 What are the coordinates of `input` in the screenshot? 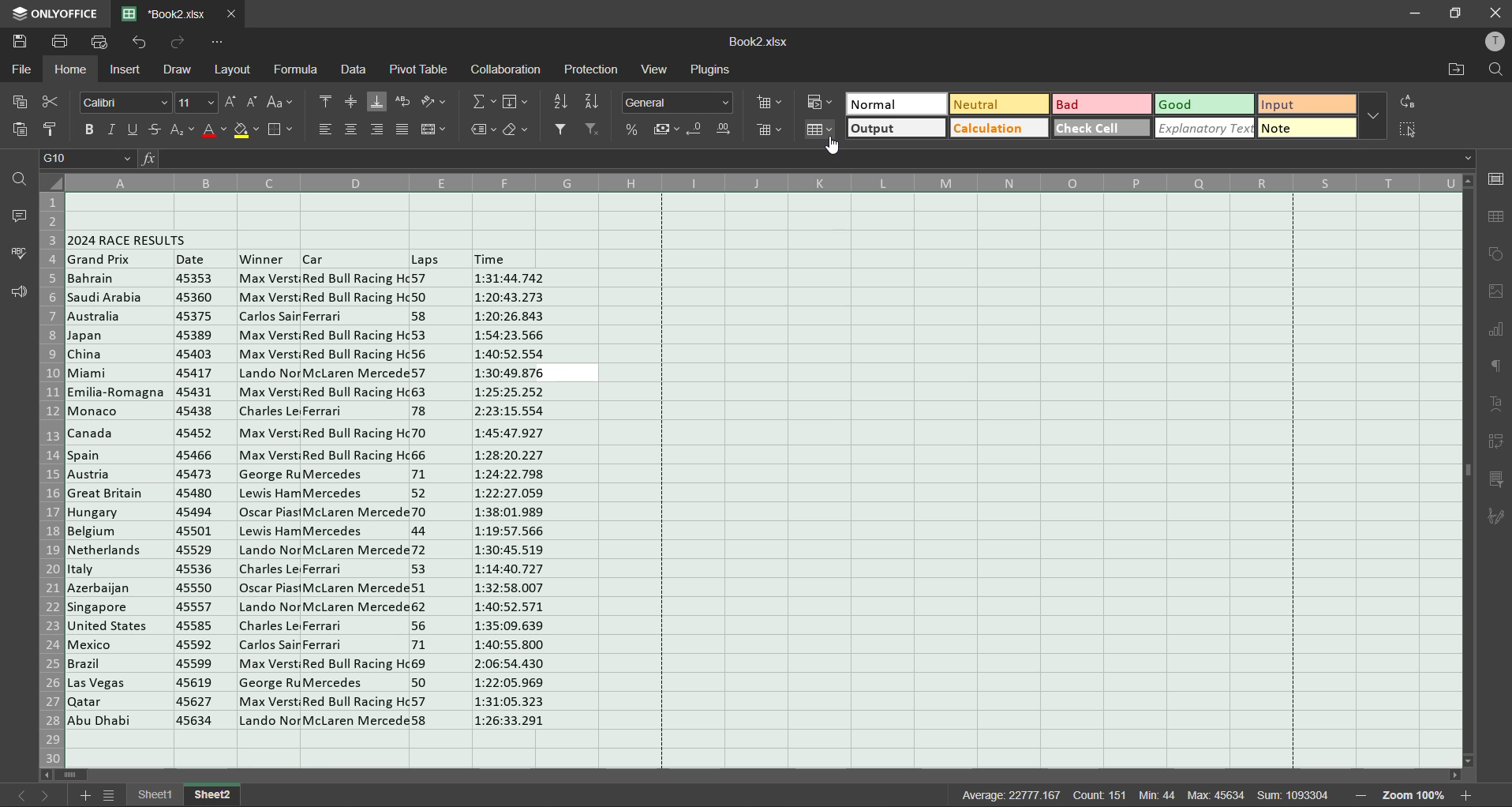 It's located at (1304, 106).